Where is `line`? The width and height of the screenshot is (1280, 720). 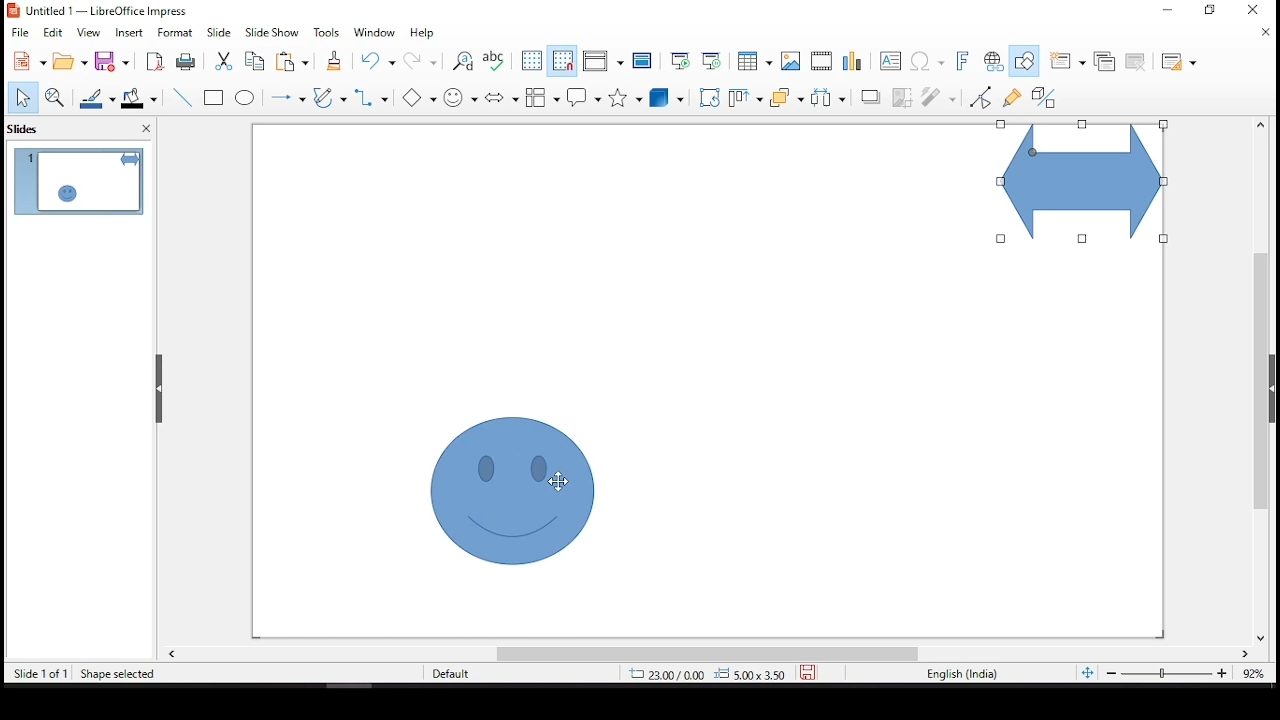 line is located at coordinates (183, 98).